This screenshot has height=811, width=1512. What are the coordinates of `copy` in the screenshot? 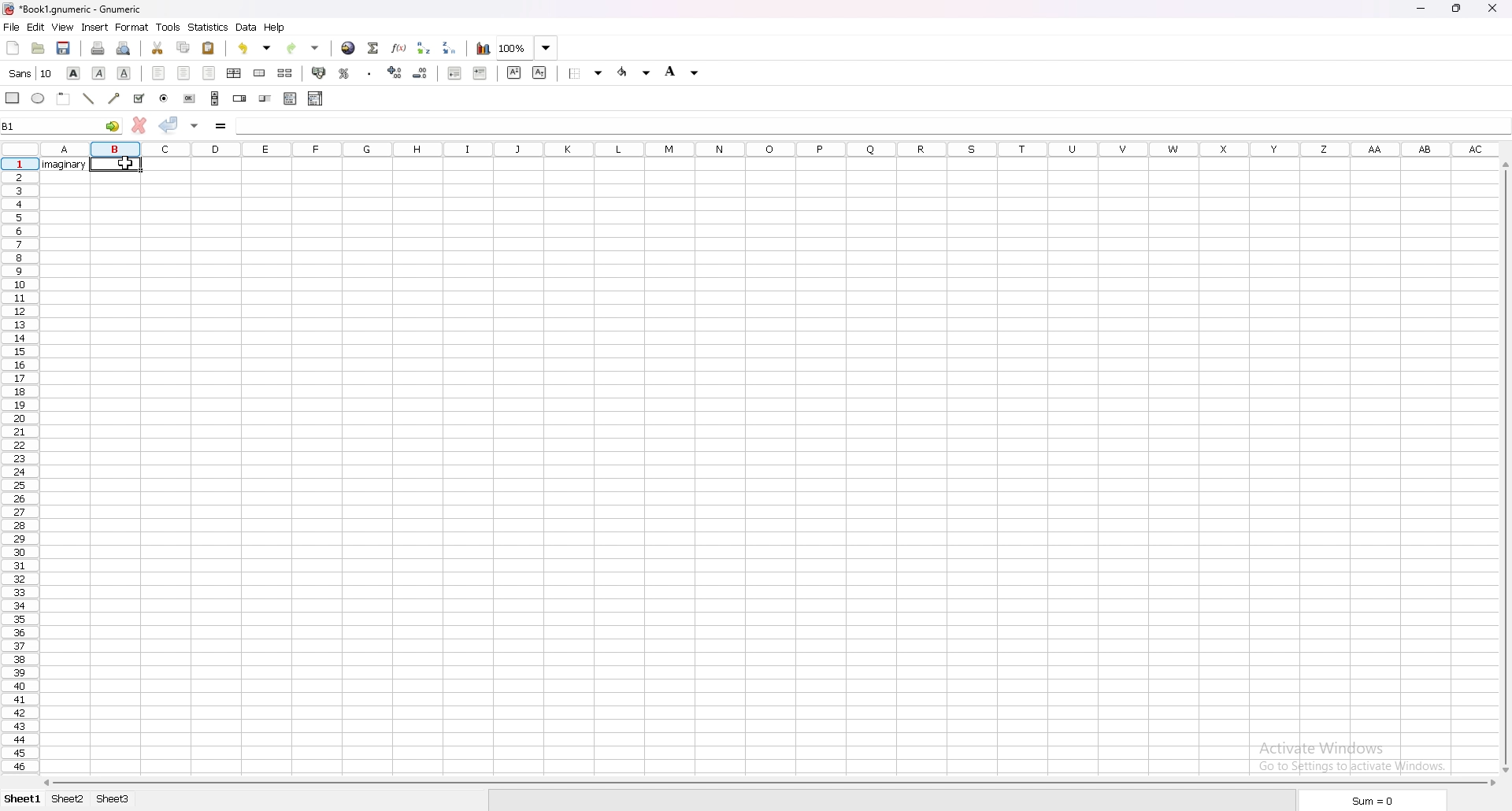 It's located at (183, 47).